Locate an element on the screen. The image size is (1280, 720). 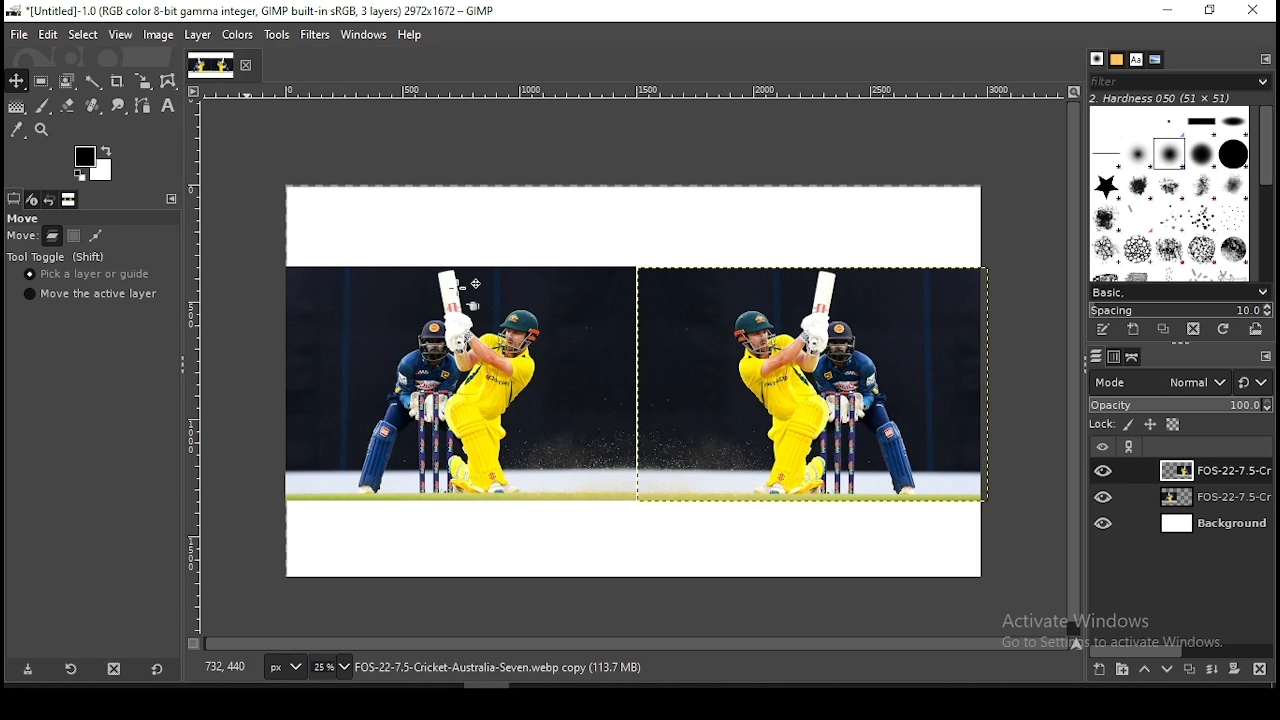
layer visibility on/off is located at coordinates (1101, 445).